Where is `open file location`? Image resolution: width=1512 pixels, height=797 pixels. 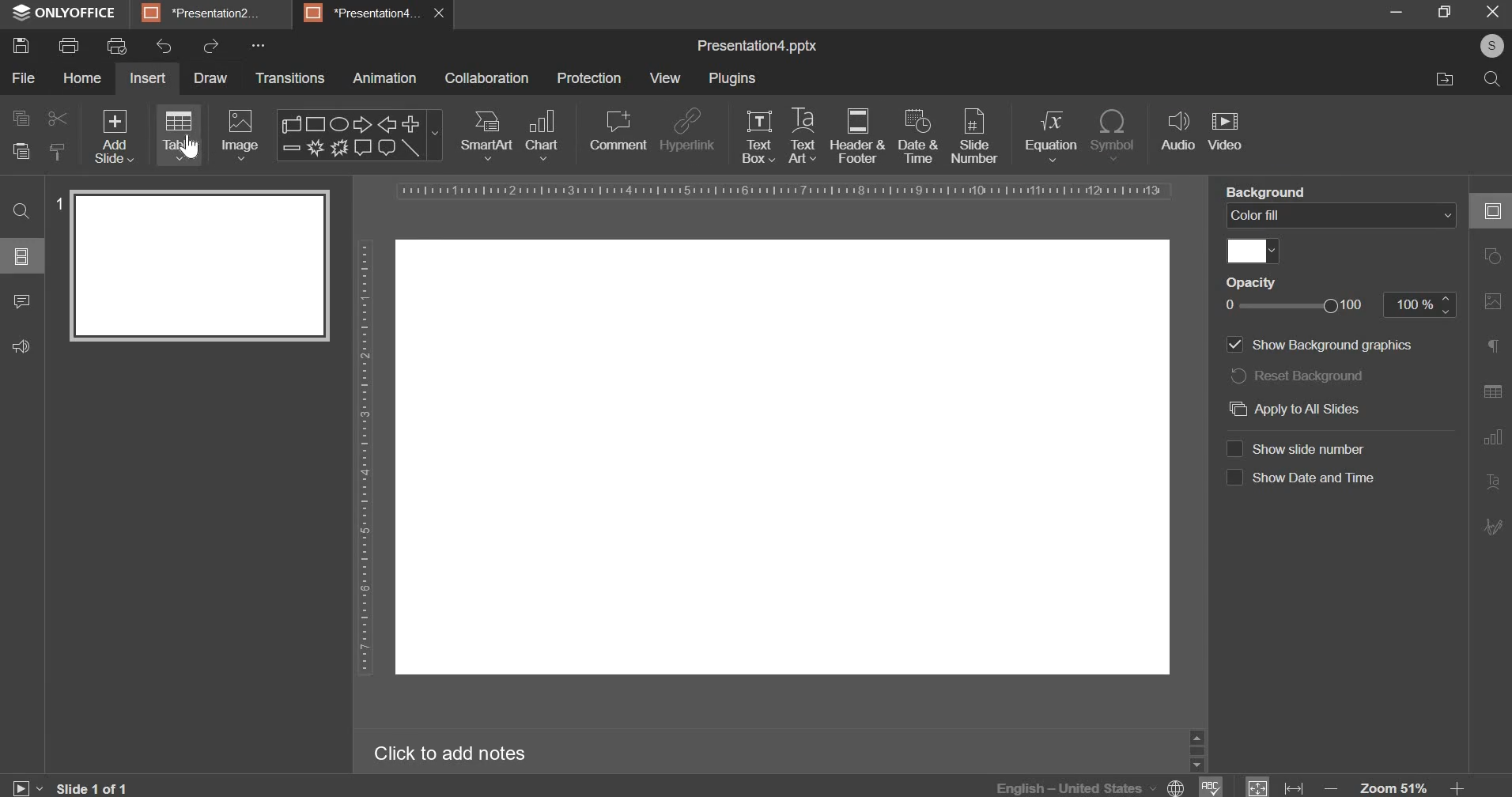 open file location is located at coordinates (1442, 81).